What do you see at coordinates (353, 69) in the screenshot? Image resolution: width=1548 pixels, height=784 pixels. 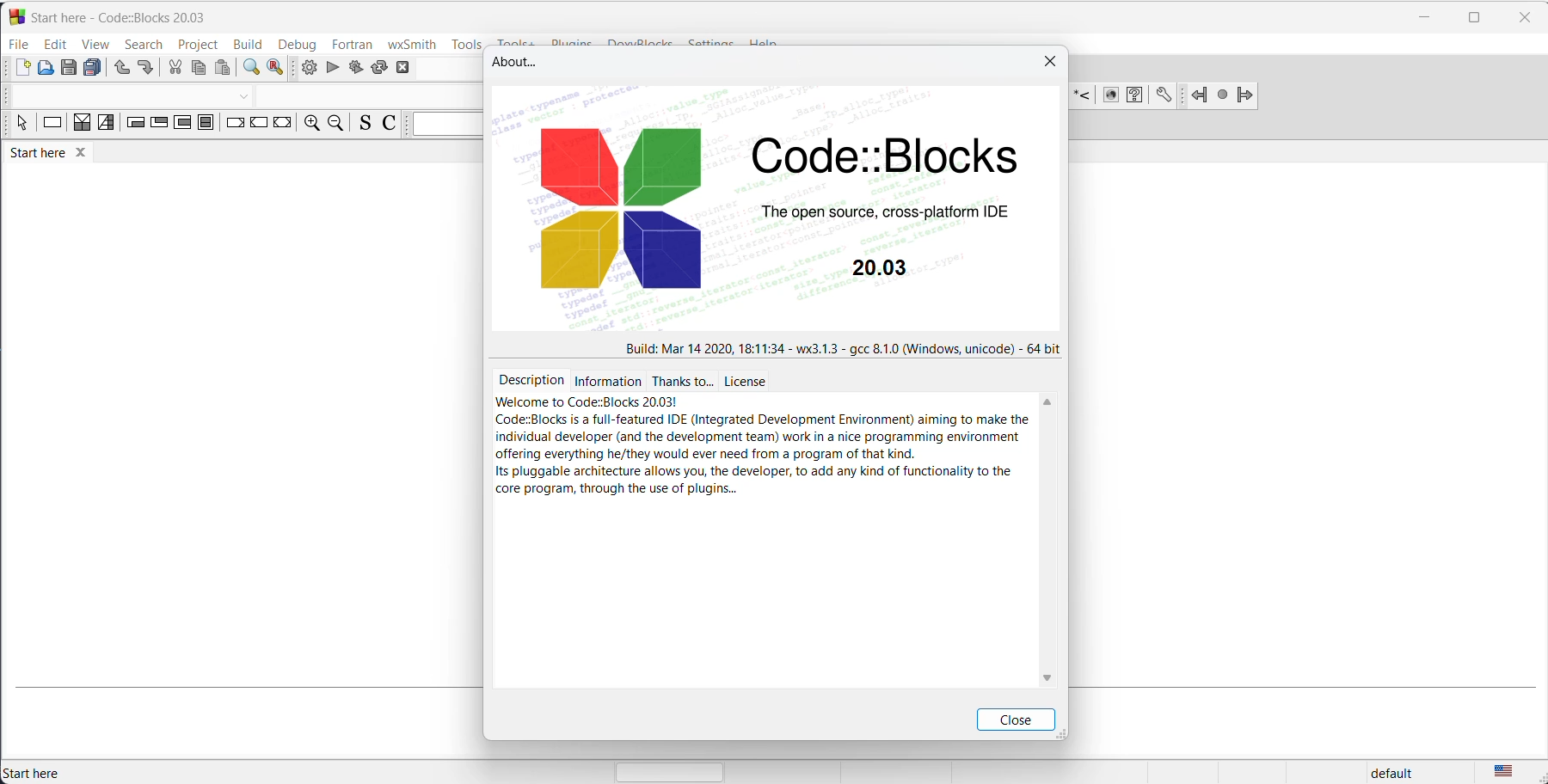 I see `build and run` at bounding box center [353, 69].